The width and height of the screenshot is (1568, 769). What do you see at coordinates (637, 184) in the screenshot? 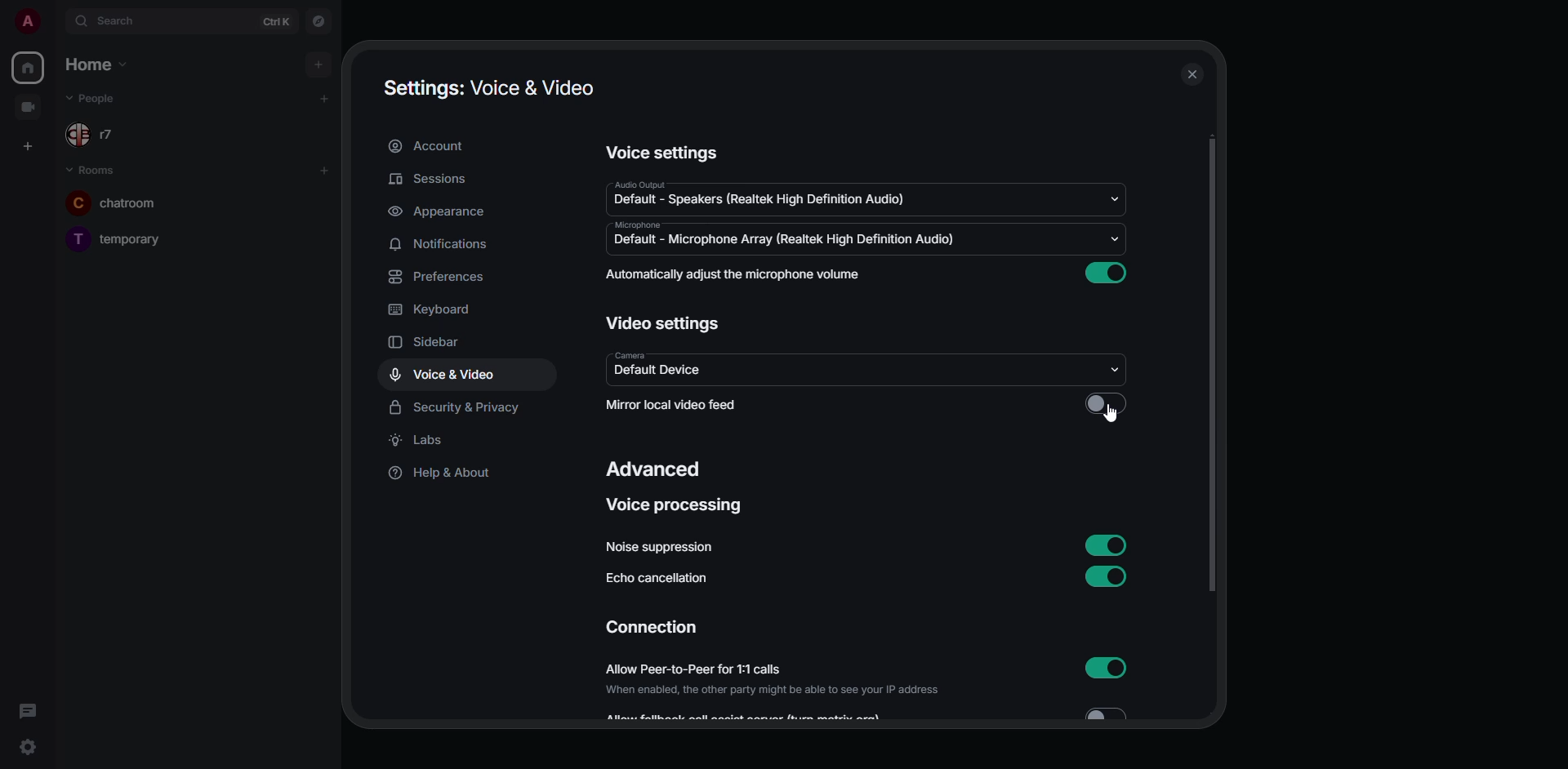
I see `audio output` at bounding box center [637, 184].